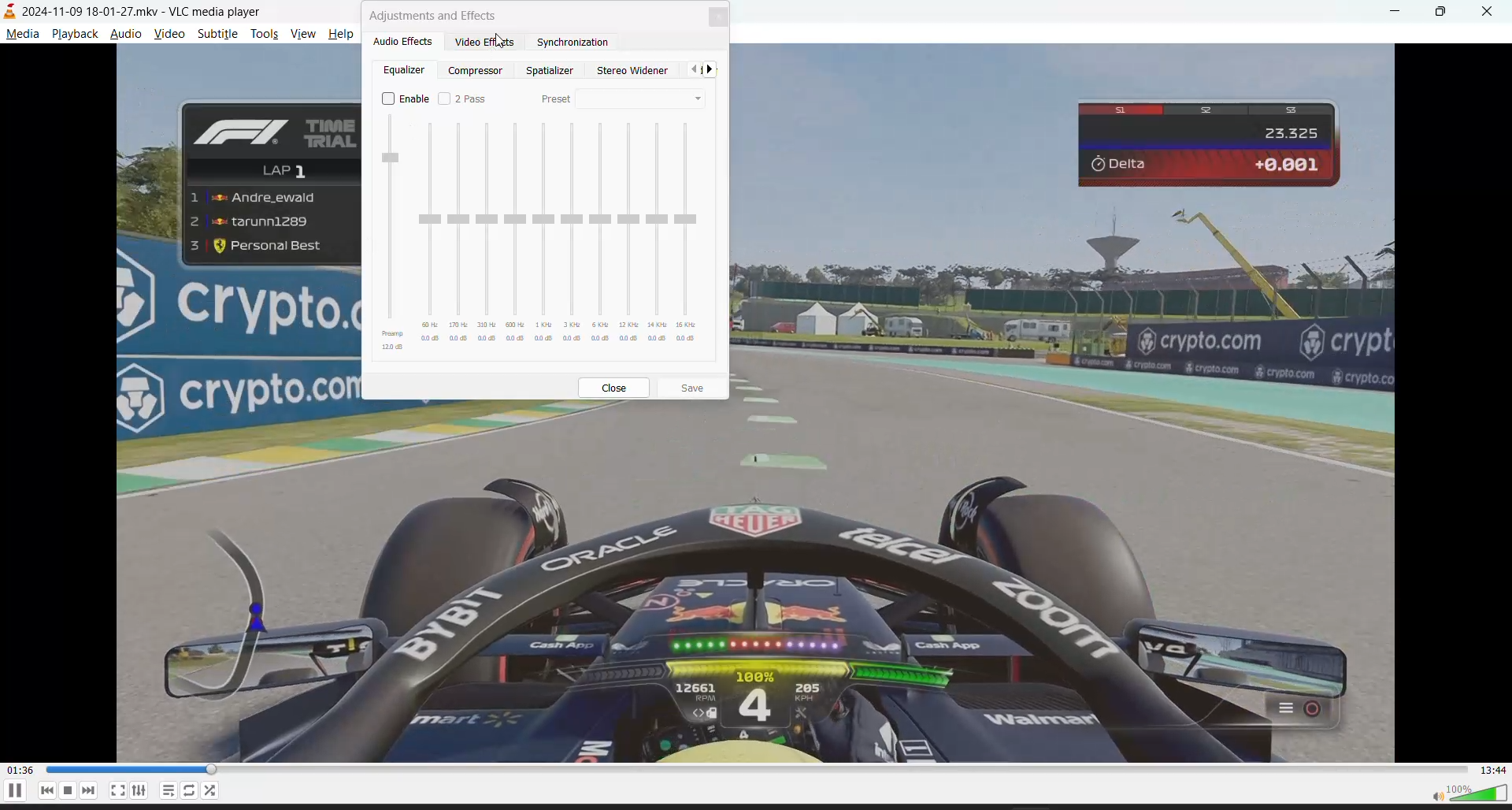 This screenshot has height=810, width=1512. I want to click on next, so click(710, 69).